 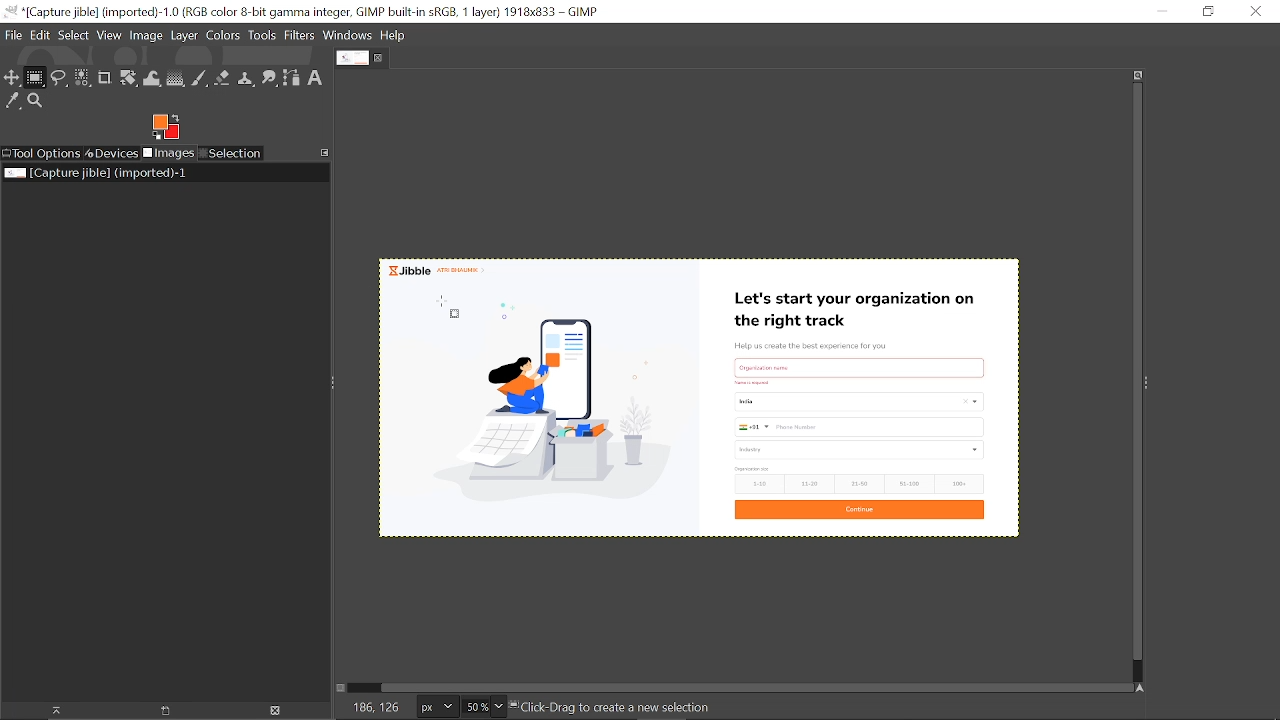 What do you see at coordinates (270, 79) in the screenshot?
I see `Smudge tool` at bounding box center [270, 79].